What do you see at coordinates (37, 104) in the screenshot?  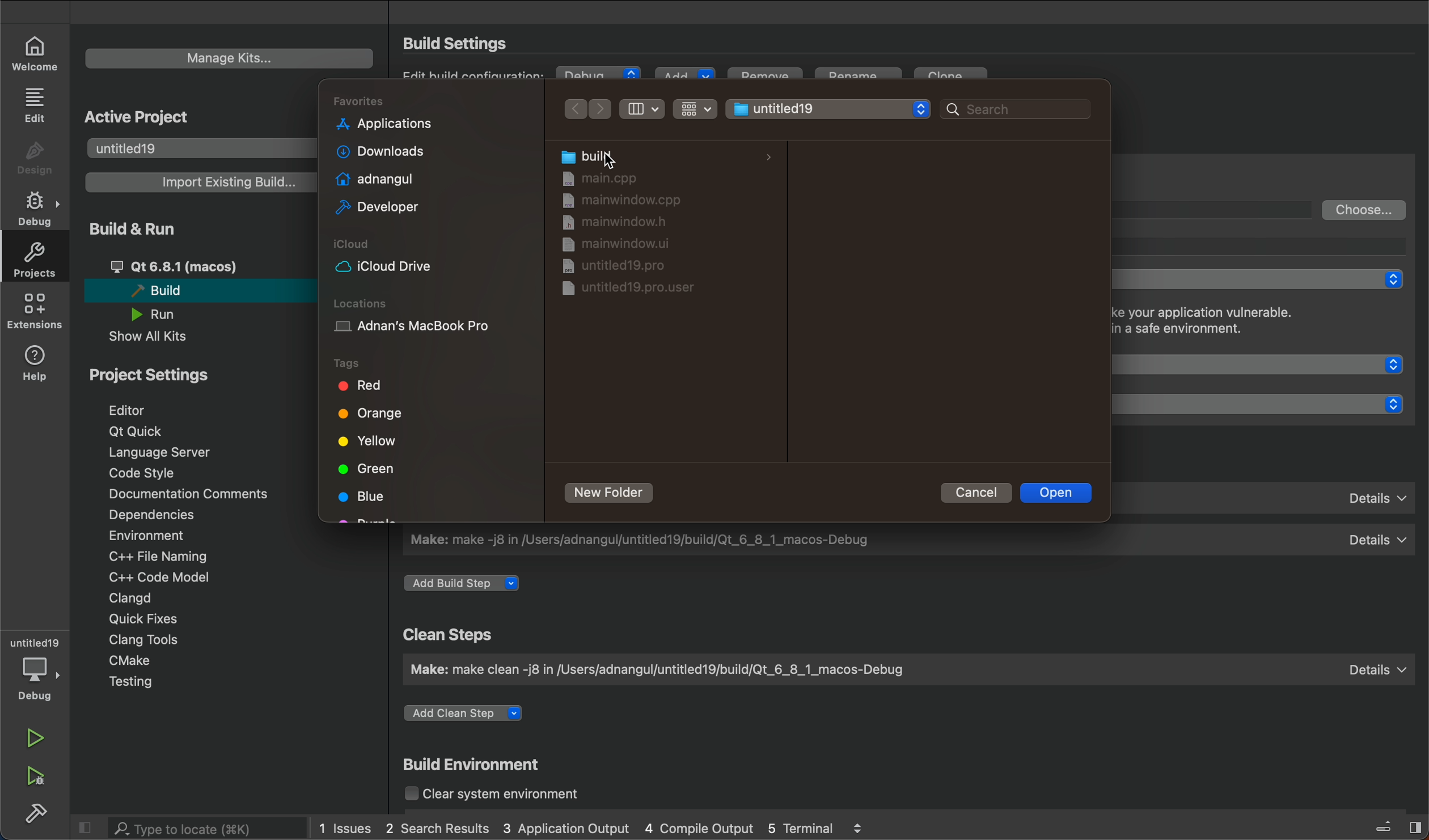 I see `EDIT` at bounding box center [37, 104].